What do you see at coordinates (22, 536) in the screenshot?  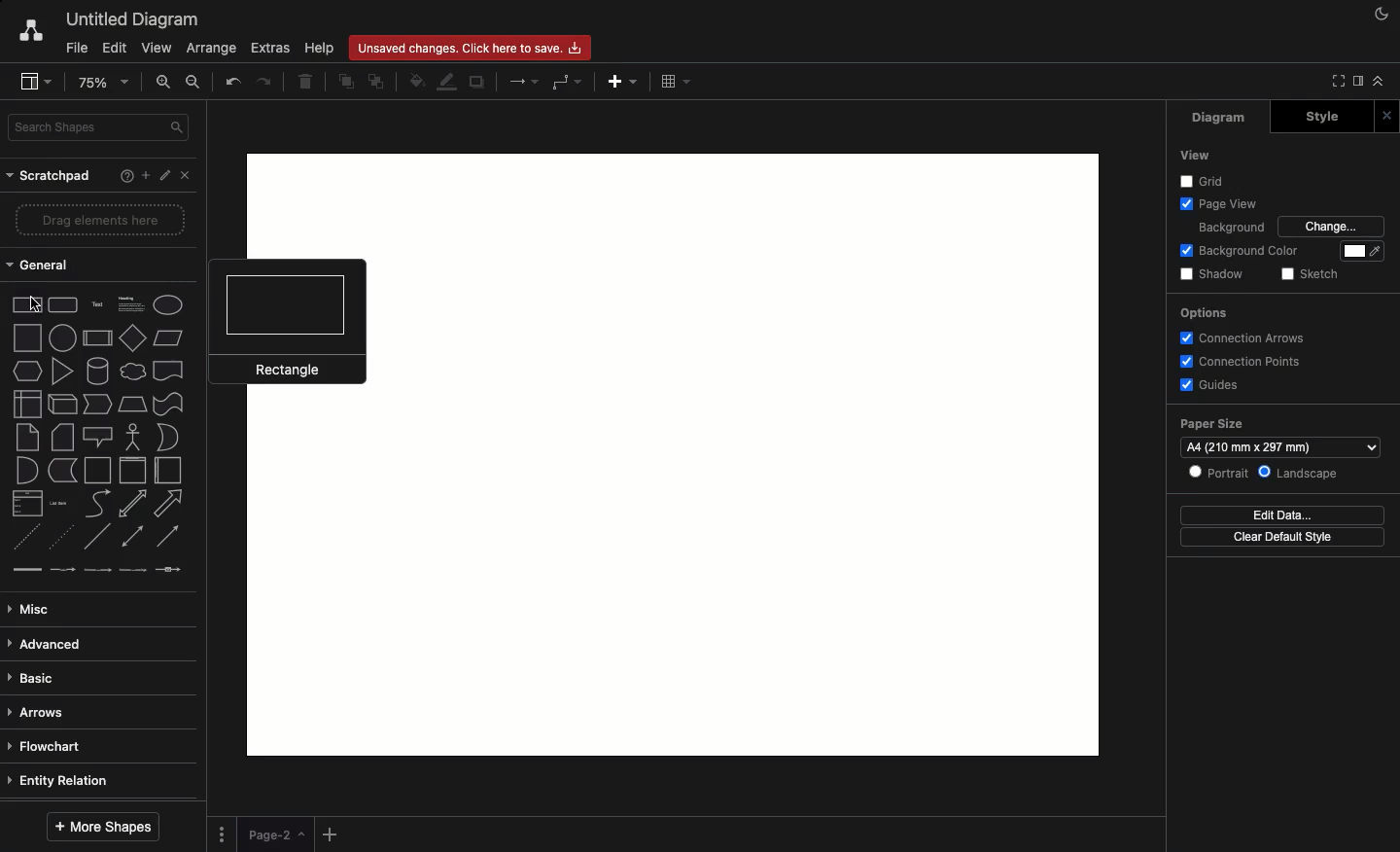 I see `dashed line` at bounding box center [22, 536].